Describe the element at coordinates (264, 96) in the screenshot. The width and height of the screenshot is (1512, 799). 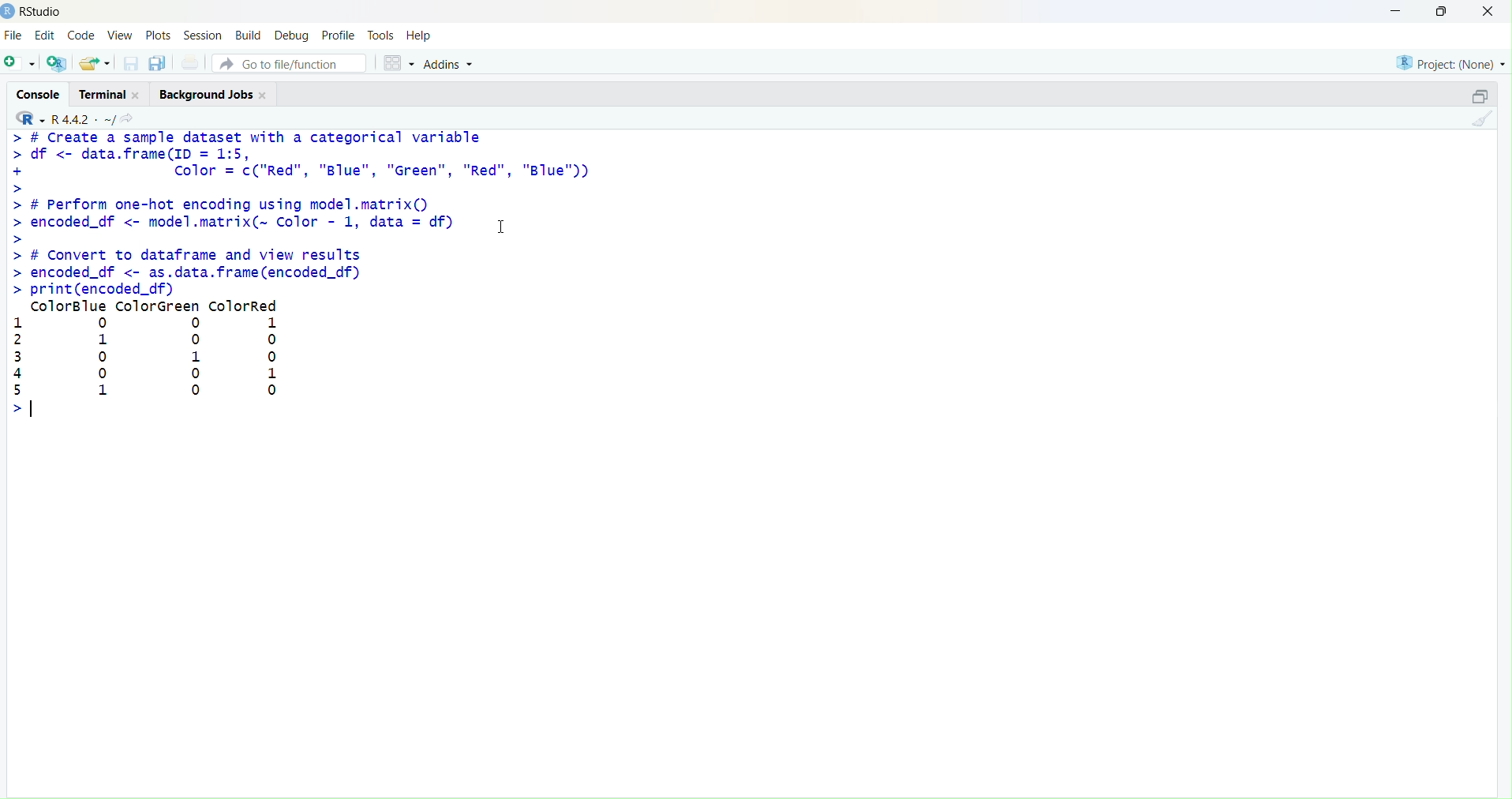
I see `close` at that location.